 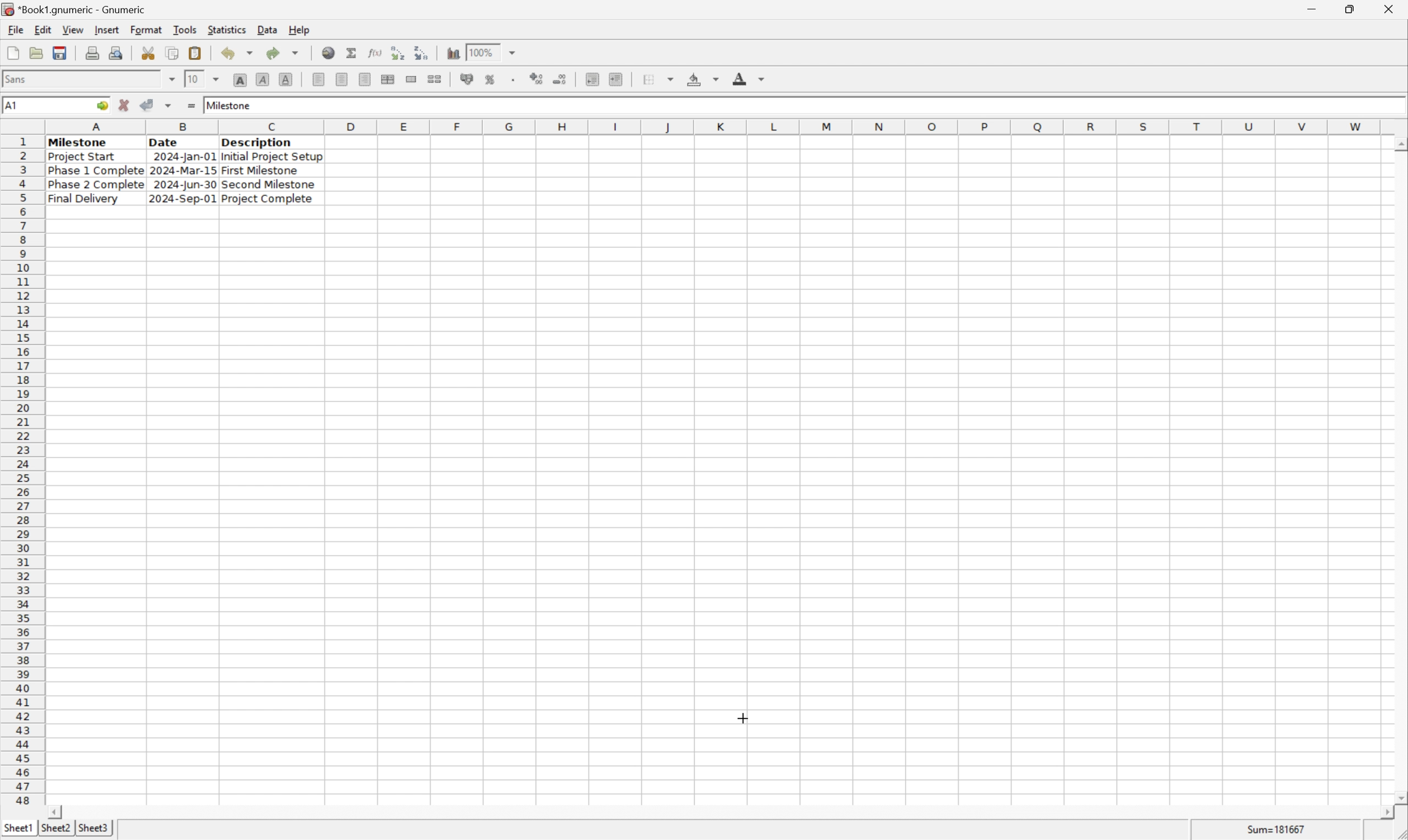 I want to click on tools, so click(x=186, y=29).